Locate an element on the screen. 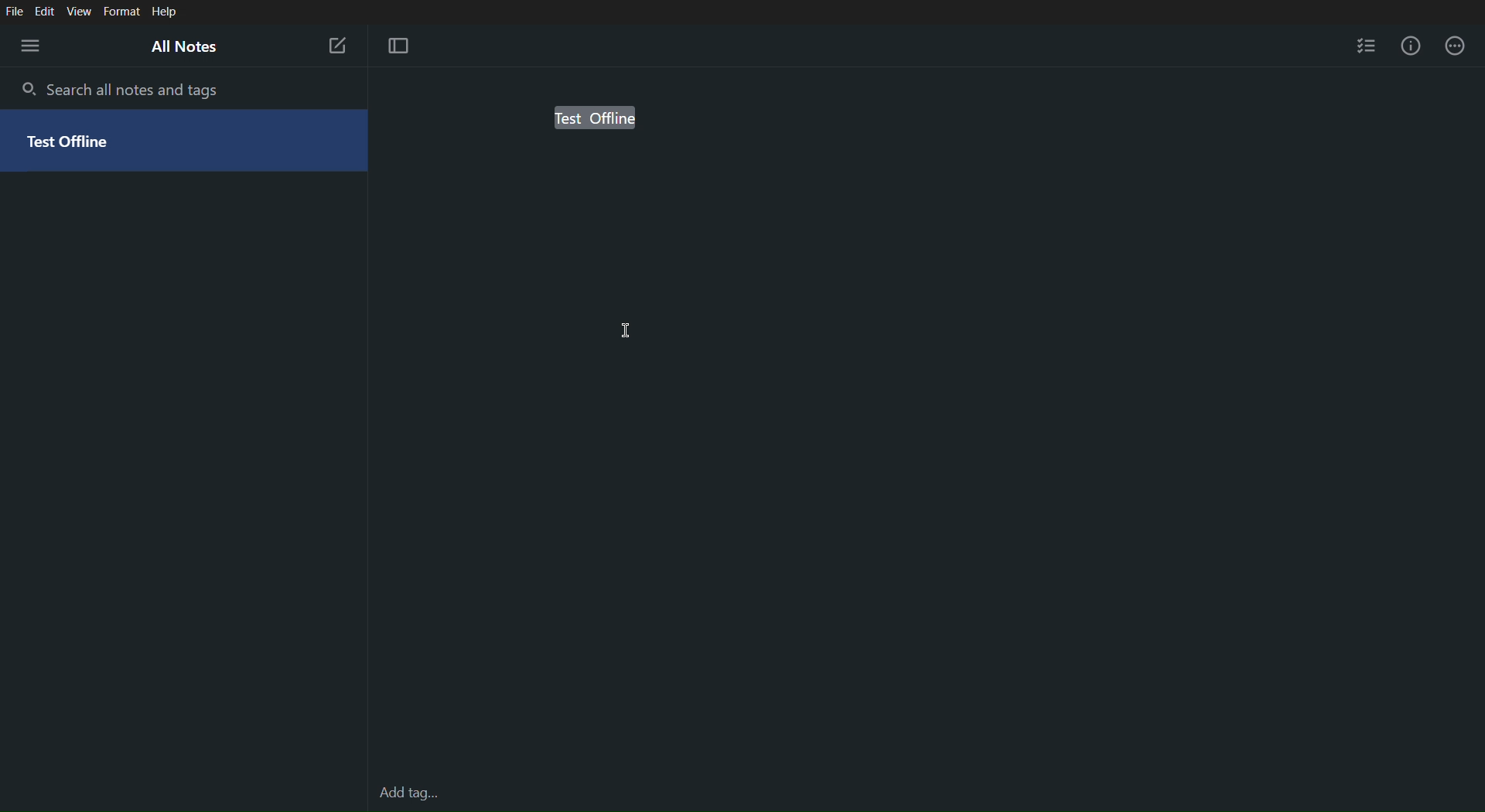  All Notes is located at coordinates (192, 47).